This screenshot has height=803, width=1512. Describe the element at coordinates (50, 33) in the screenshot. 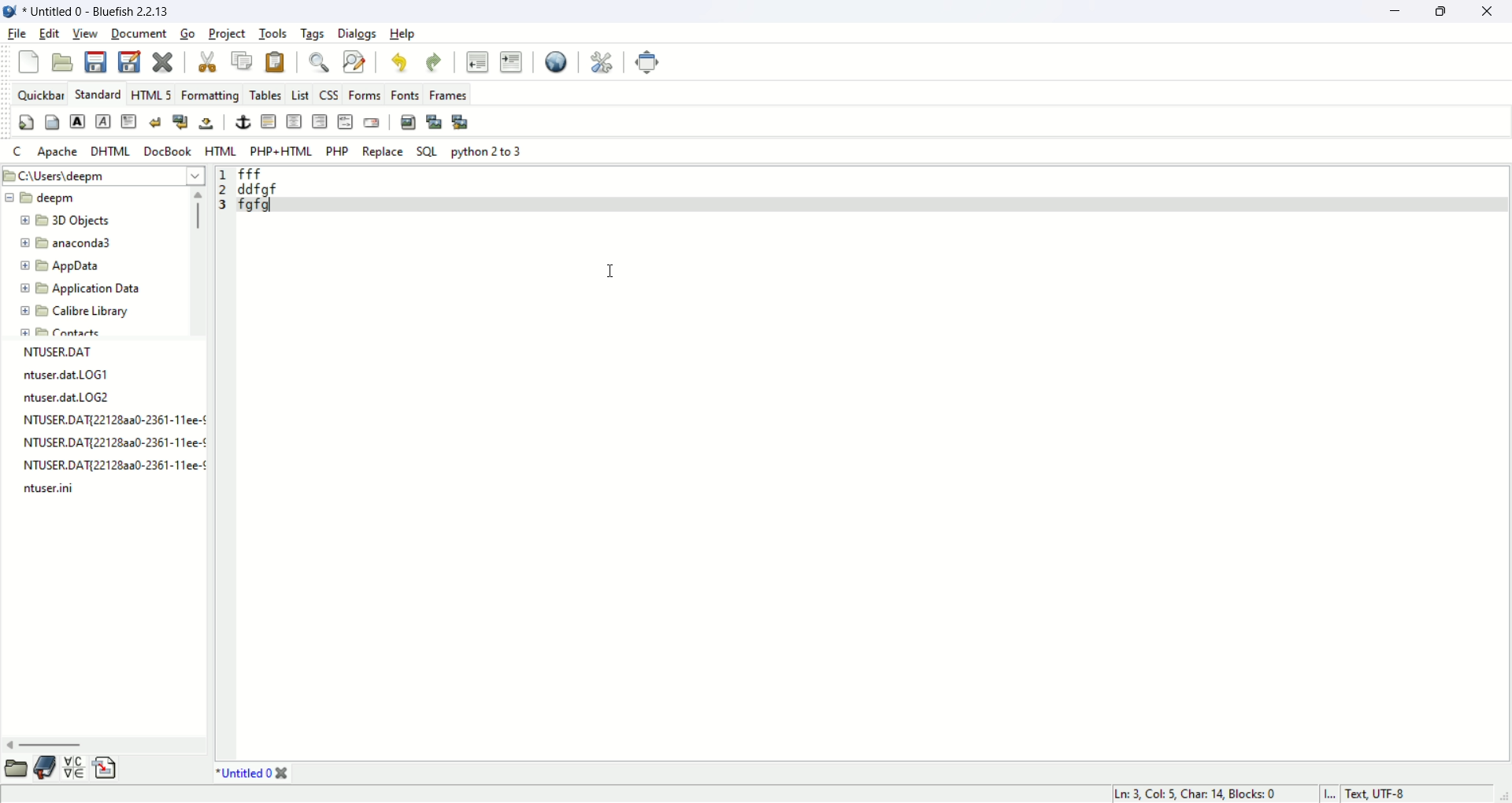

I see `edit` at that location.